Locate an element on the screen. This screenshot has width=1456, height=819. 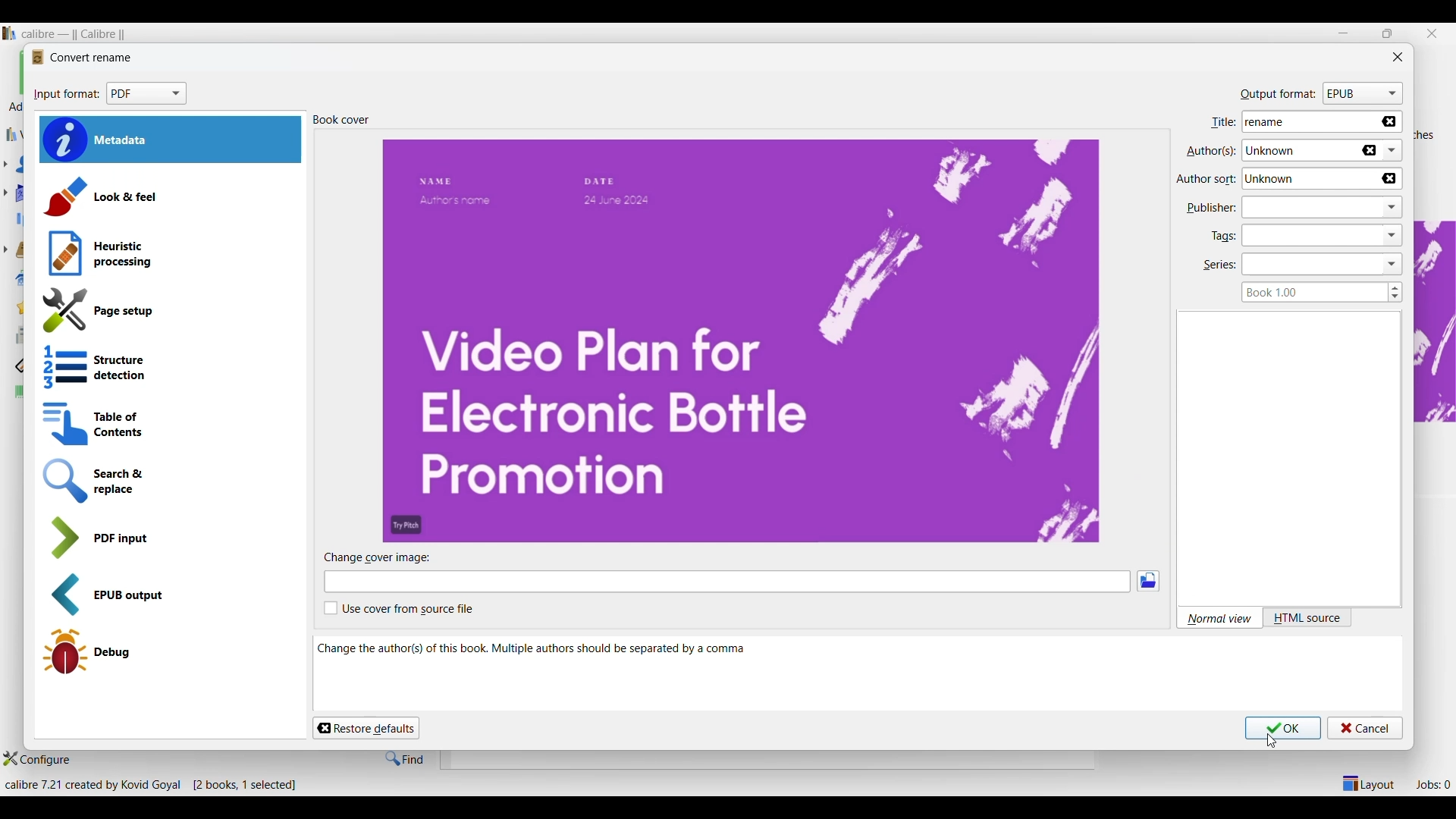
Author name is located at coordinates (1311, 179).